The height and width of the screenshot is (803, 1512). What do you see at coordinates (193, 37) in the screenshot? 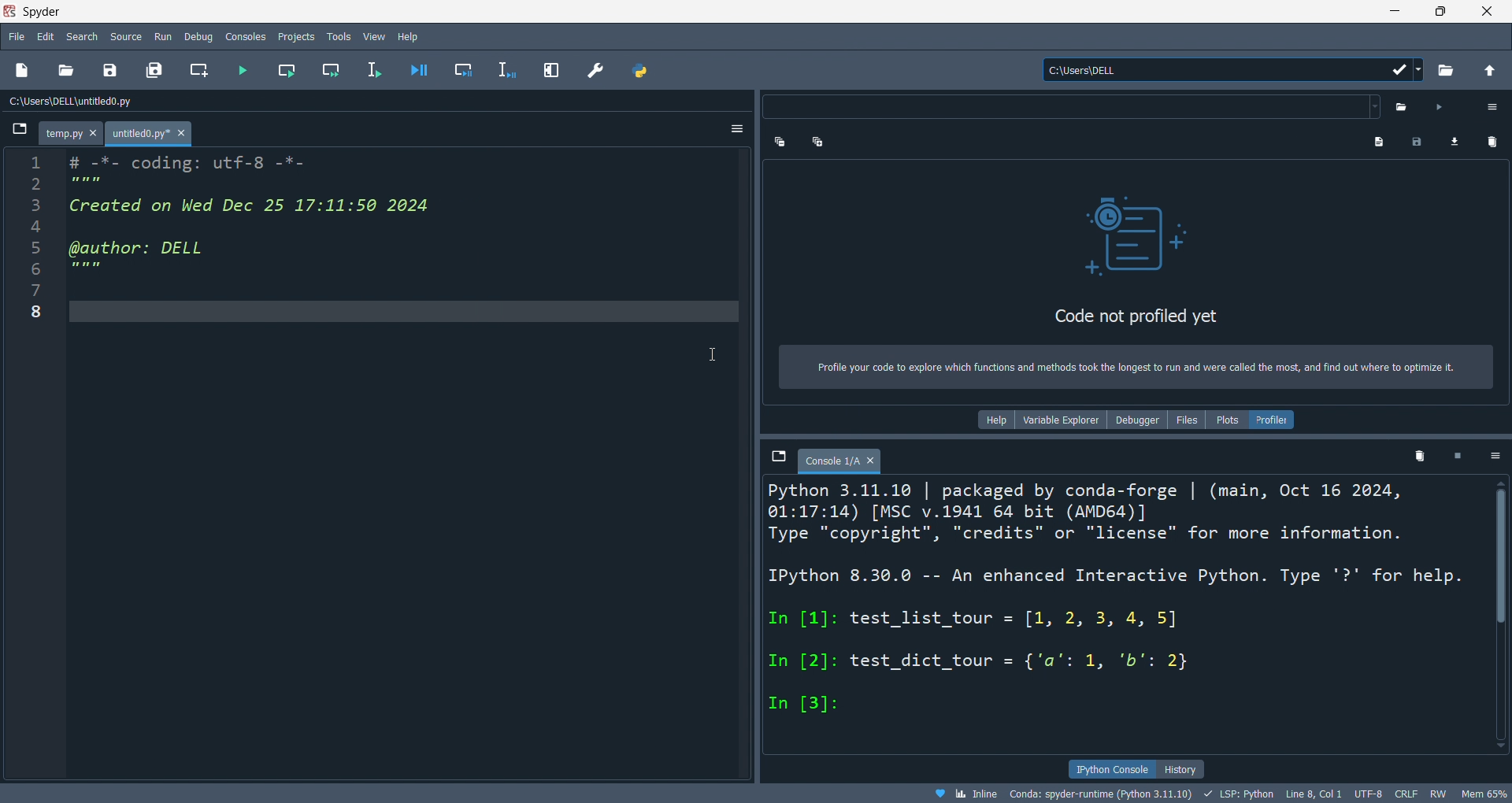
I see `debug` at bounding box center [193, 37].